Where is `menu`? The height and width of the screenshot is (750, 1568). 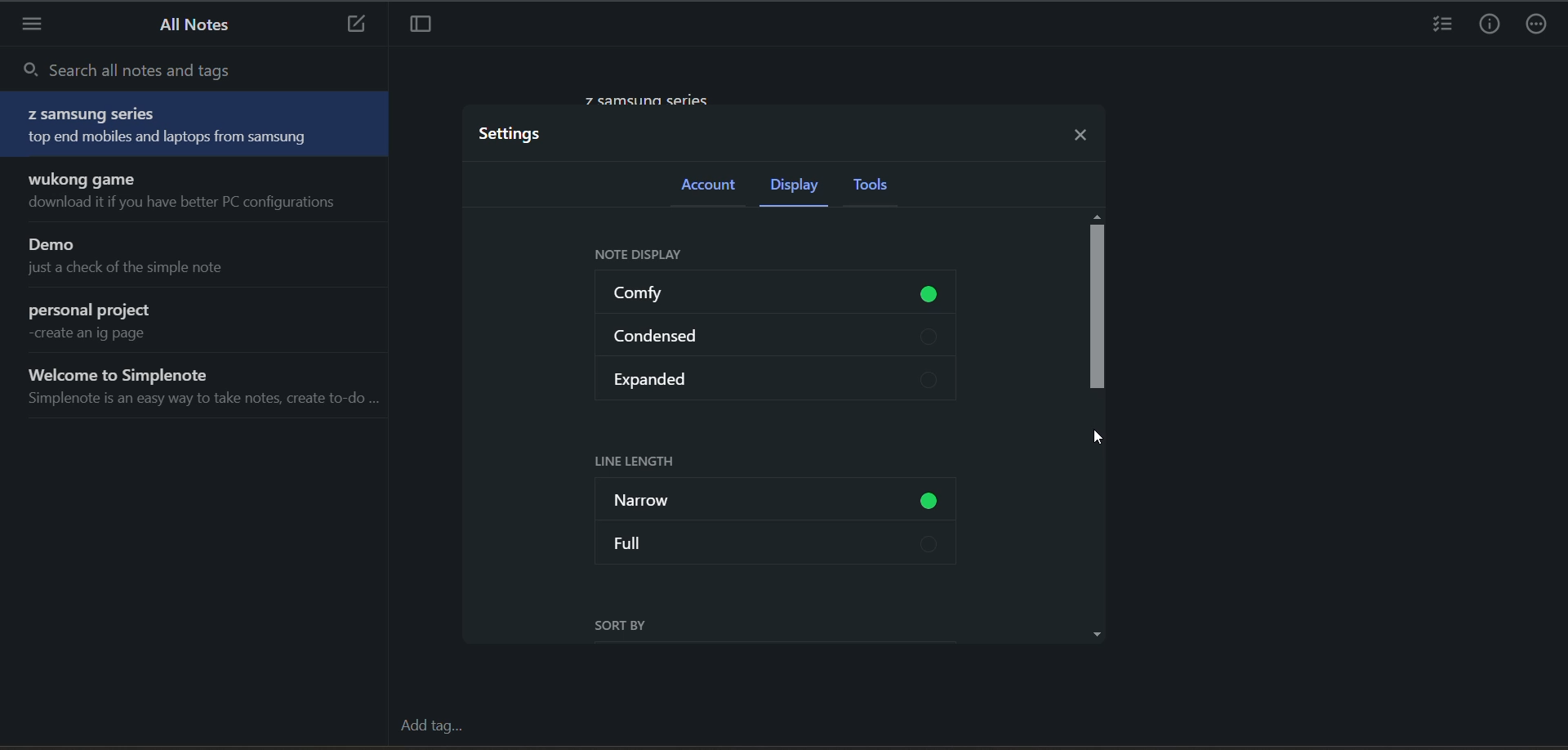
menu is located at coordinates (34, 28).